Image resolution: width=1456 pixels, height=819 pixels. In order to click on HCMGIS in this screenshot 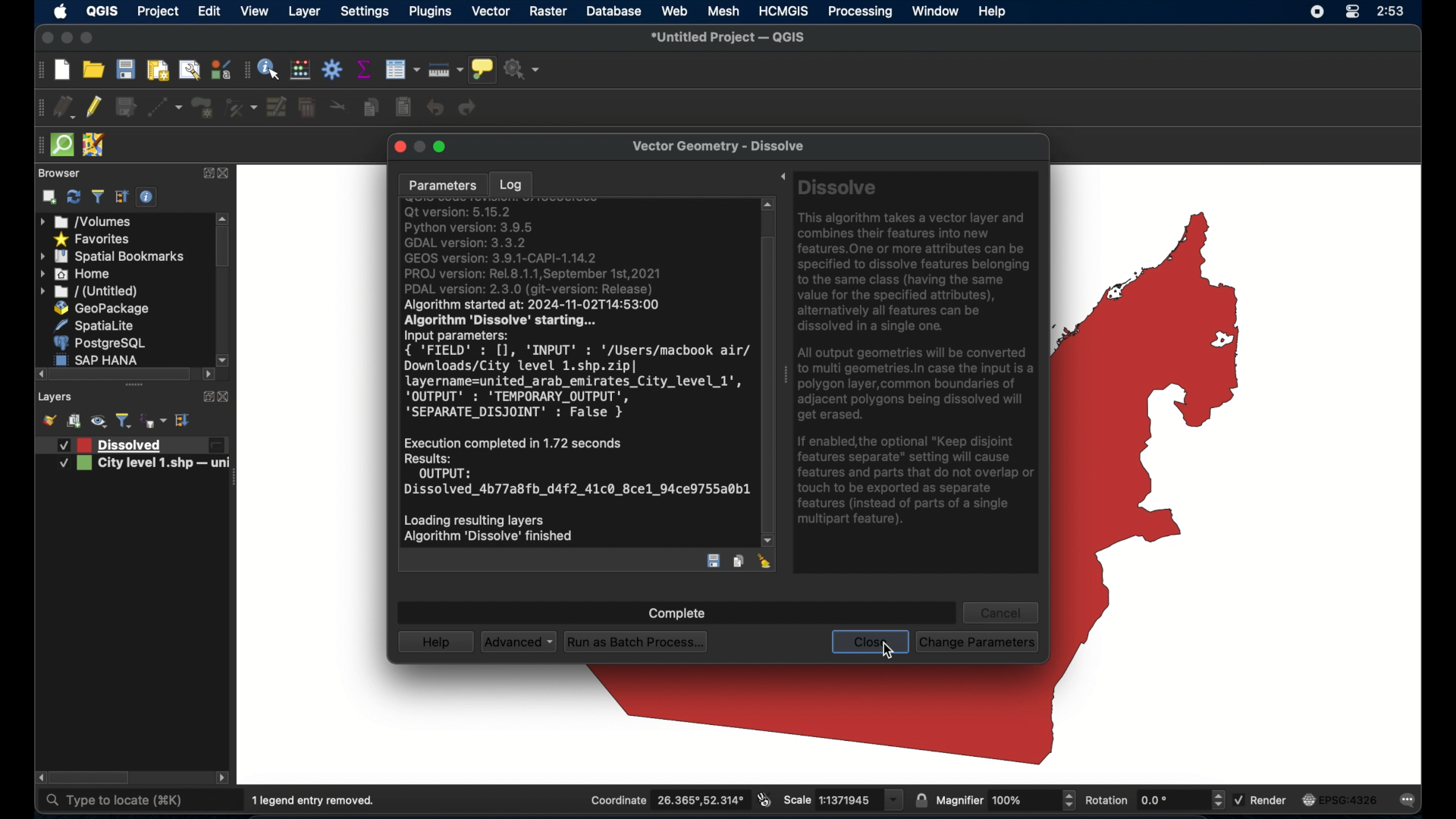, I will do `click(784, 11)`.